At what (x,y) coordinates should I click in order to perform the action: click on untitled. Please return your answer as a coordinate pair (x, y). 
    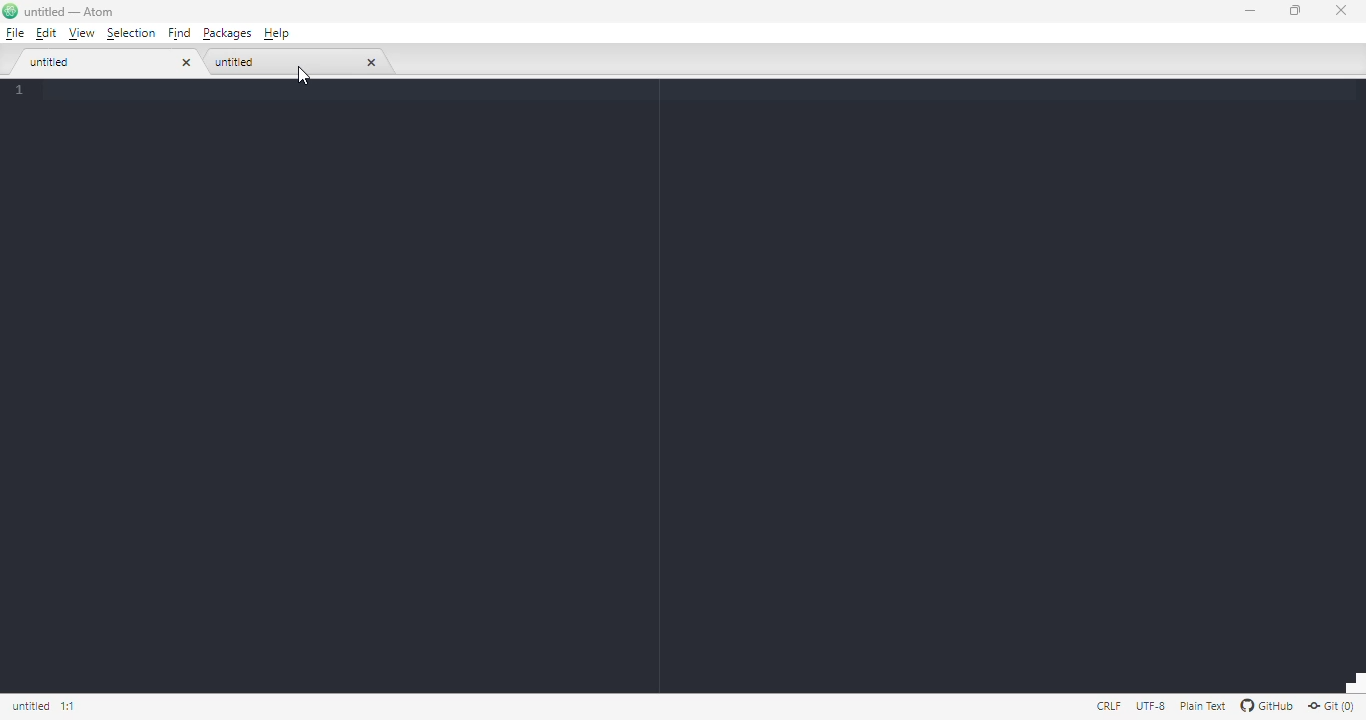
    Looking at the image, I should click on (52, 63).